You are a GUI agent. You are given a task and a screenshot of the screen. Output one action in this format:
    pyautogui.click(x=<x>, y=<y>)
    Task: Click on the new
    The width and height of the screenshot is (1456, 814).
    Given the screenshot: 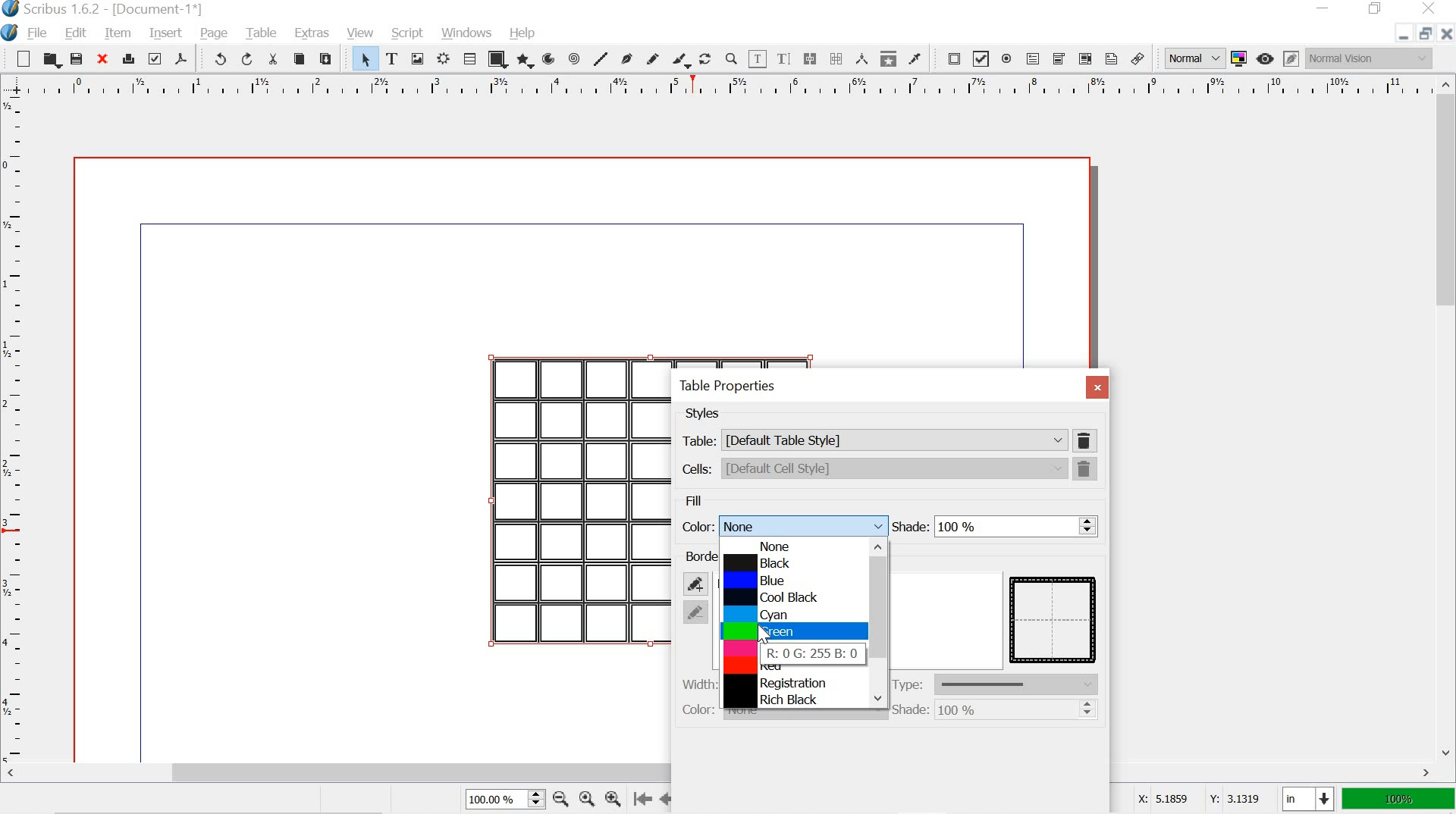 What is the action you would take?
    pyautogui.click(x=22, y=58)
    